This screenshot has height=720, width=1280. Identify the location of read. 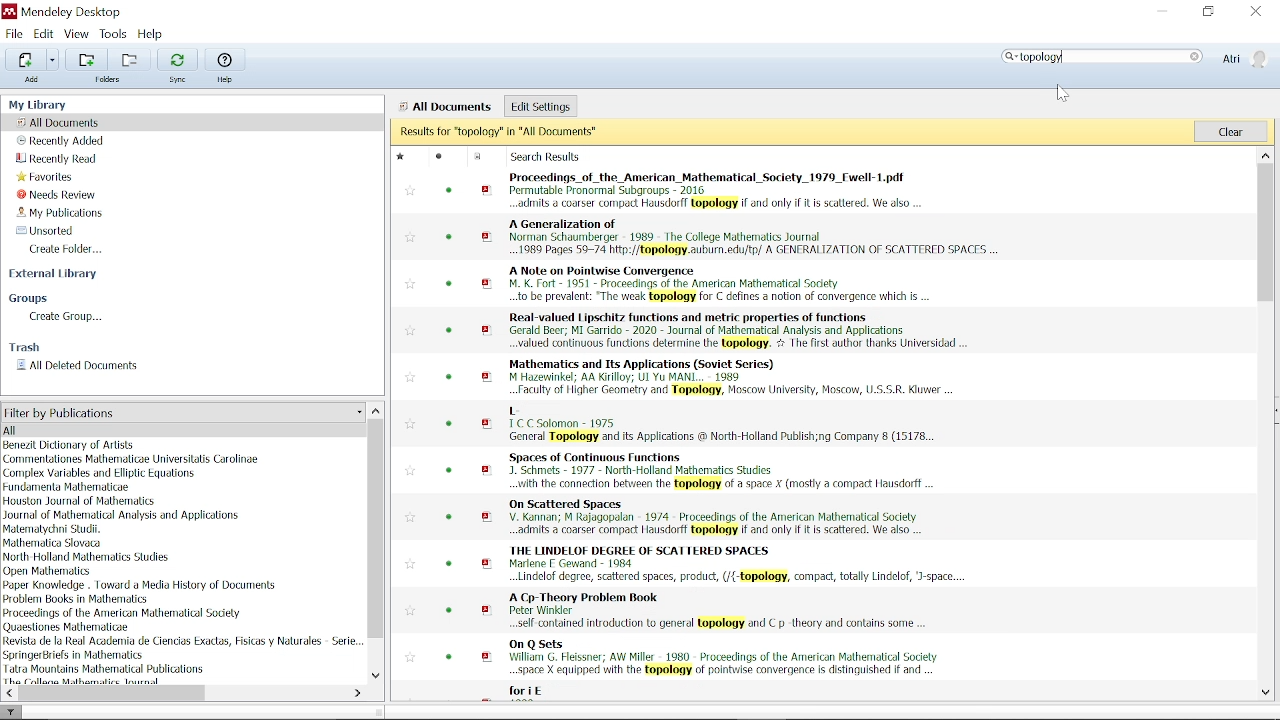
(450, 193).